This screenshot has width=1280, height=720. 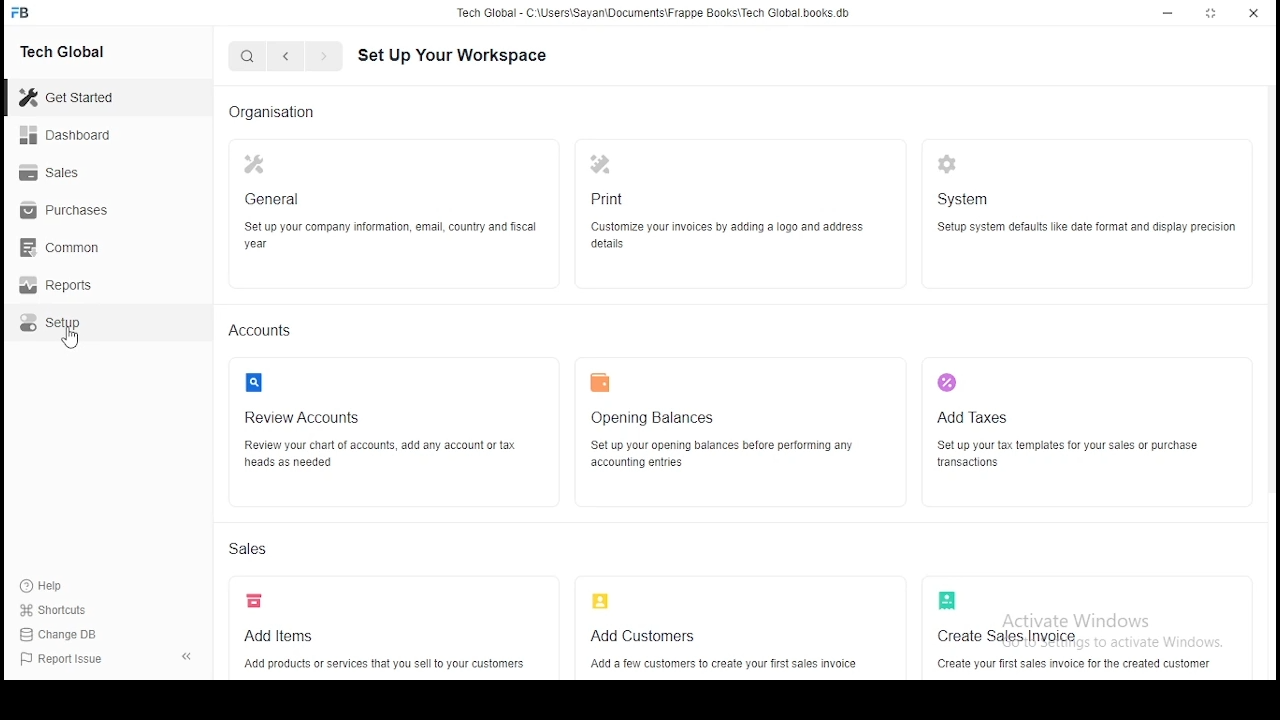 What do you see at coordinates (83, 327) in the screenshot?
I see `setup ` at bounding box center [83, 327].